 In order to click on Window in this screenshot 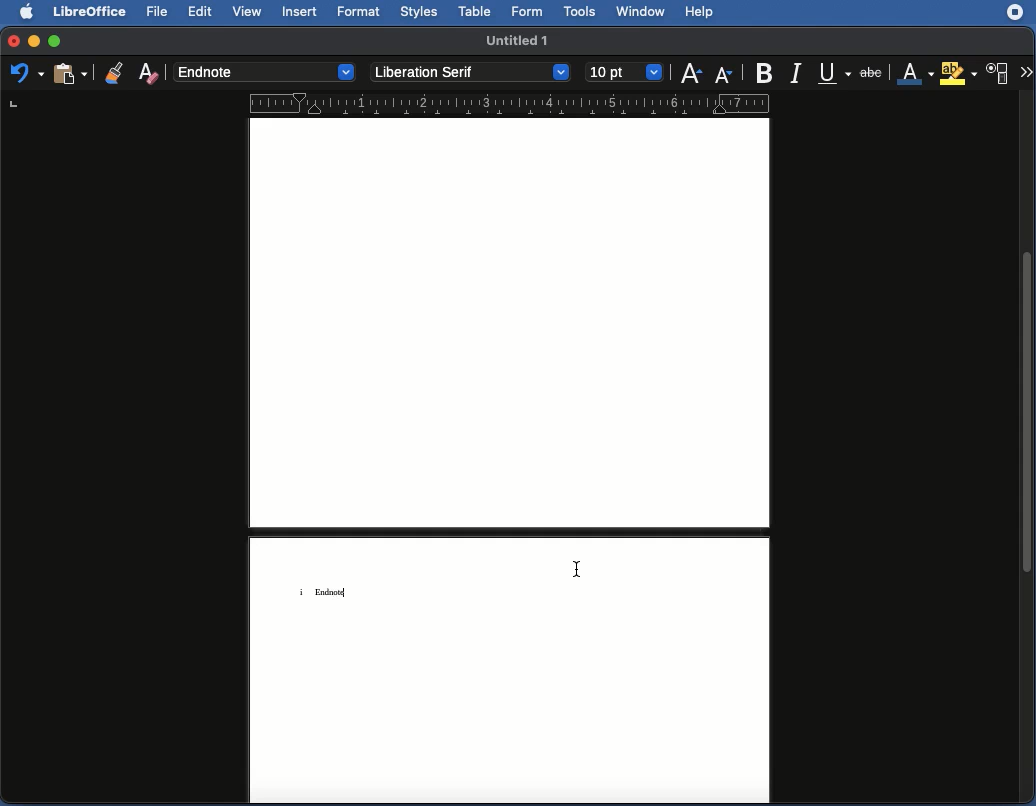, I will do `click(642, 12)`.